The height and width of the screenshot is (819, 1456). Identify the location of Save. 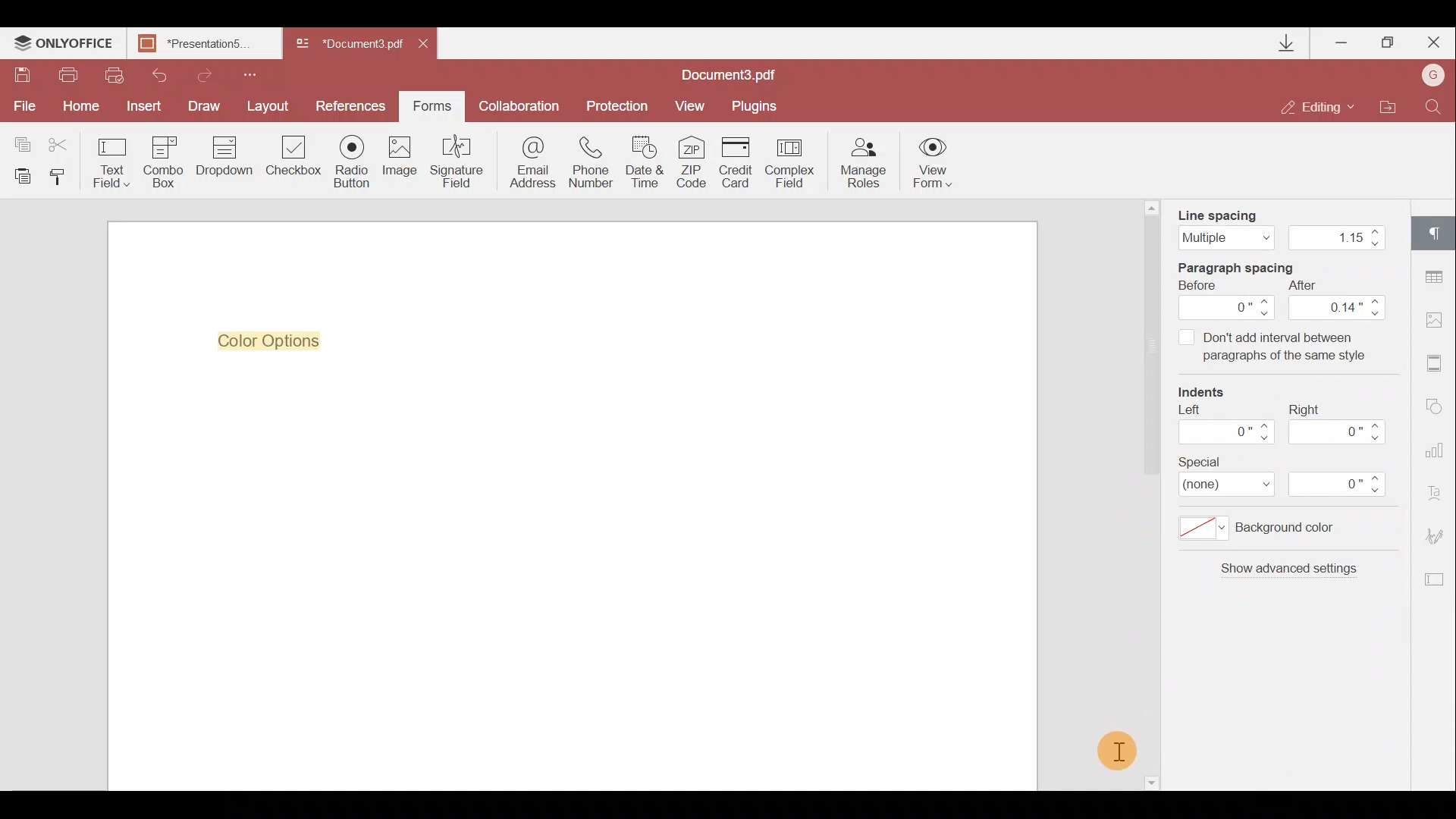
(22, 75).